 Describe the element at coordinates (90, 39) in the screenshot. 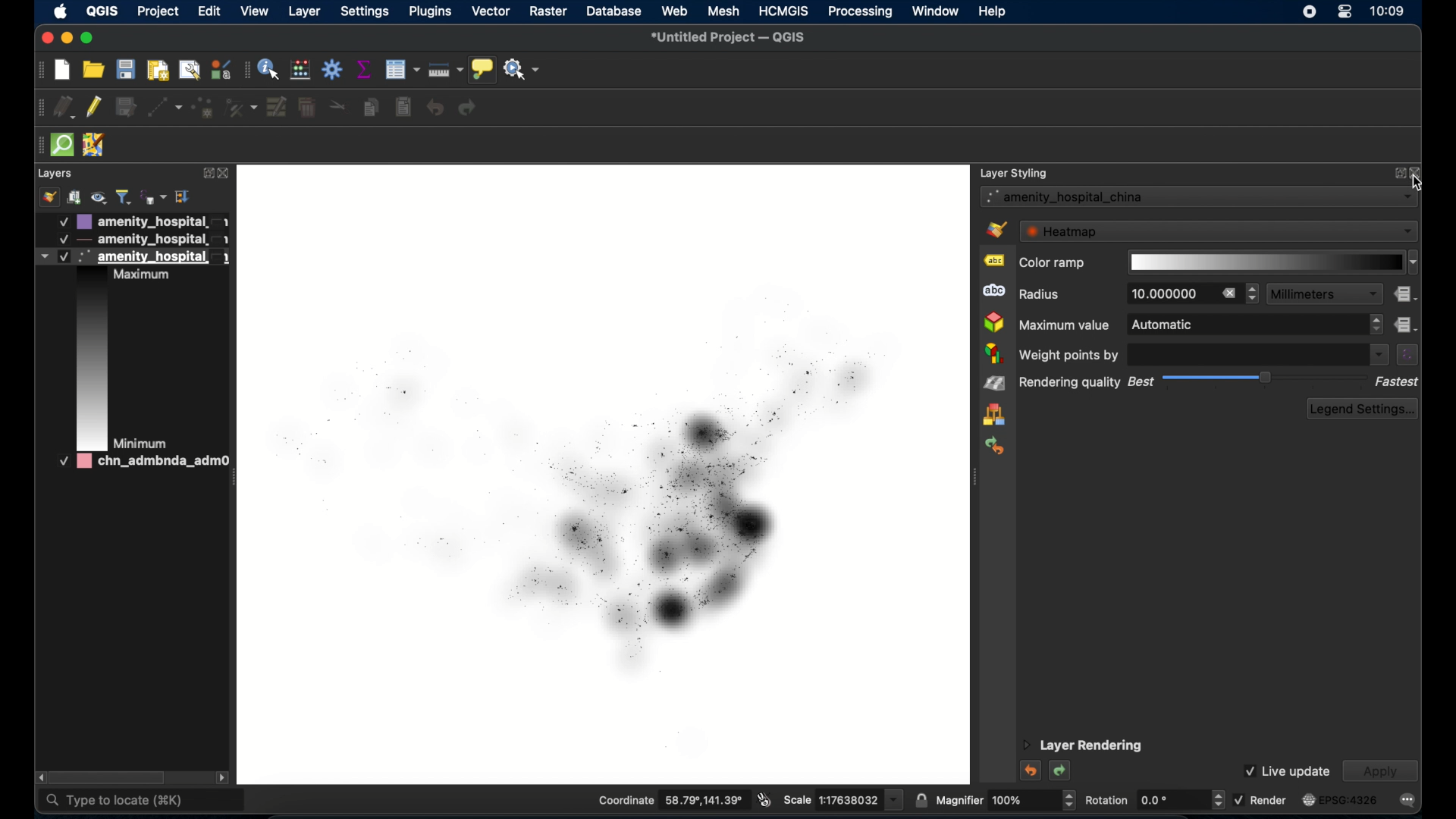

I see `maximize` at that location.